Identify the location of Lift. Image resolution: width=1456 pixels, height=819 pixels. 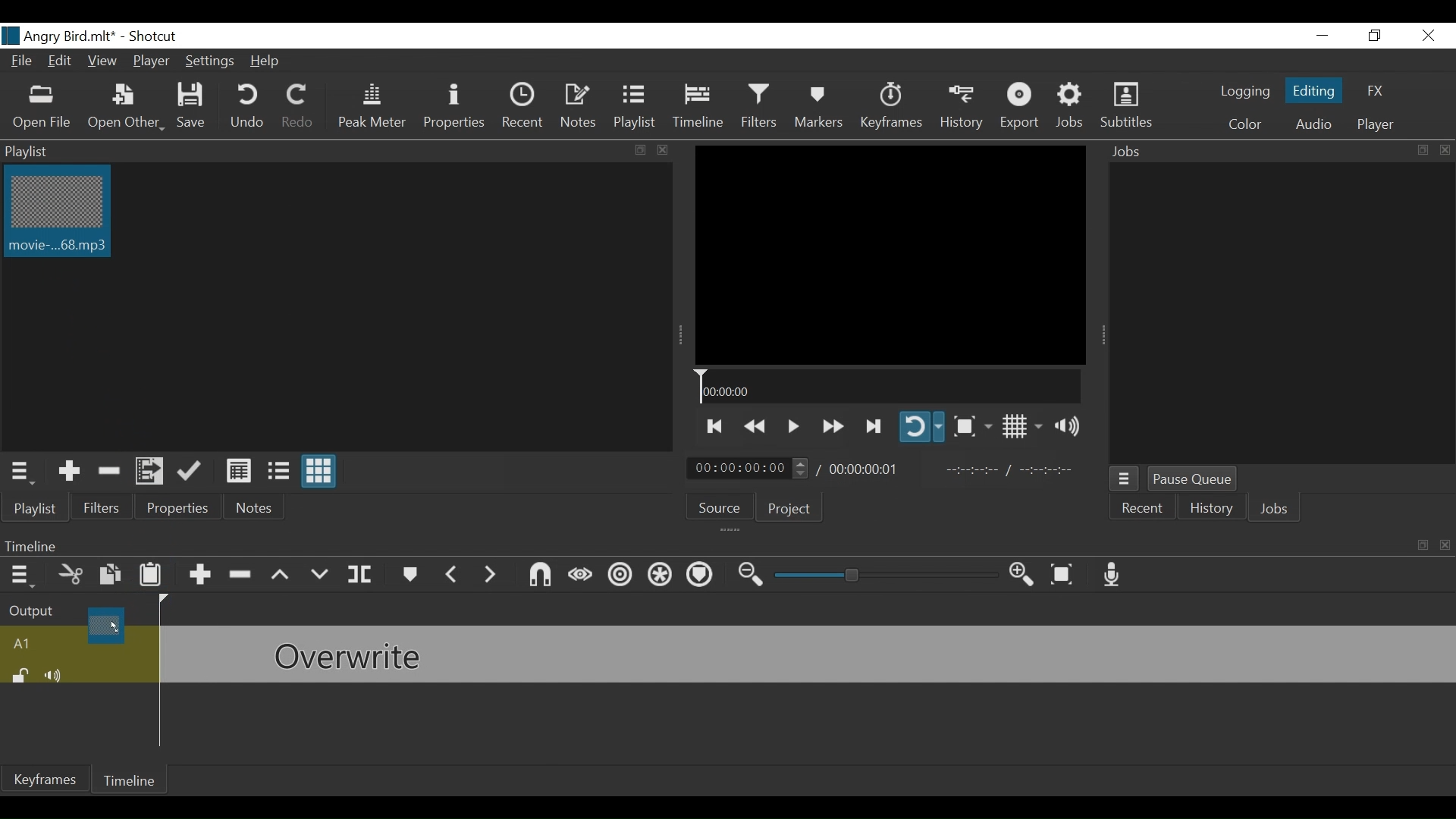
(281, 575).